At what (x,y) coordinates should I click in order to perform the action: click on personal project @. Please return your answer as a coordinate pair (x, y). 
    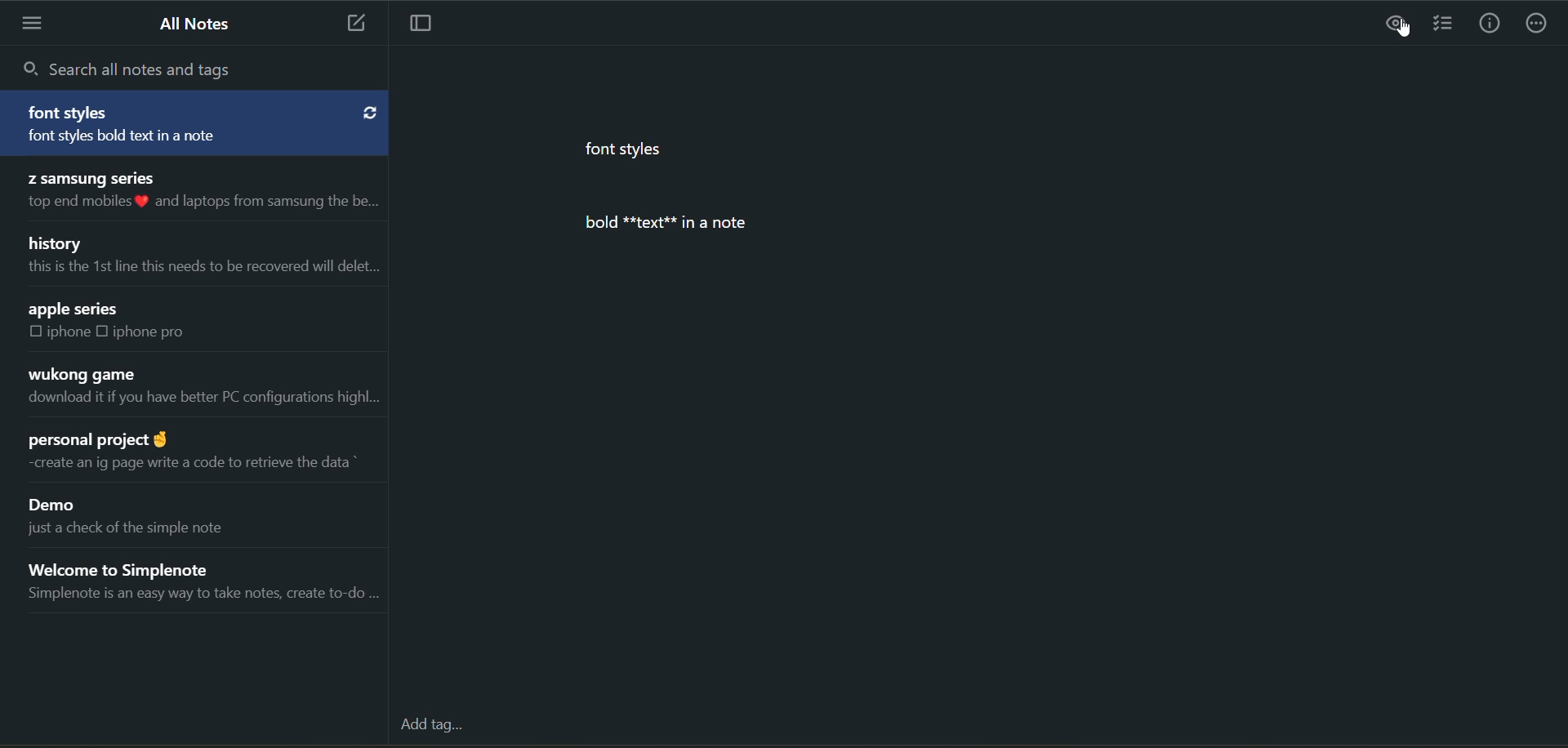
    Looking at the image, I should click on (96, 435).